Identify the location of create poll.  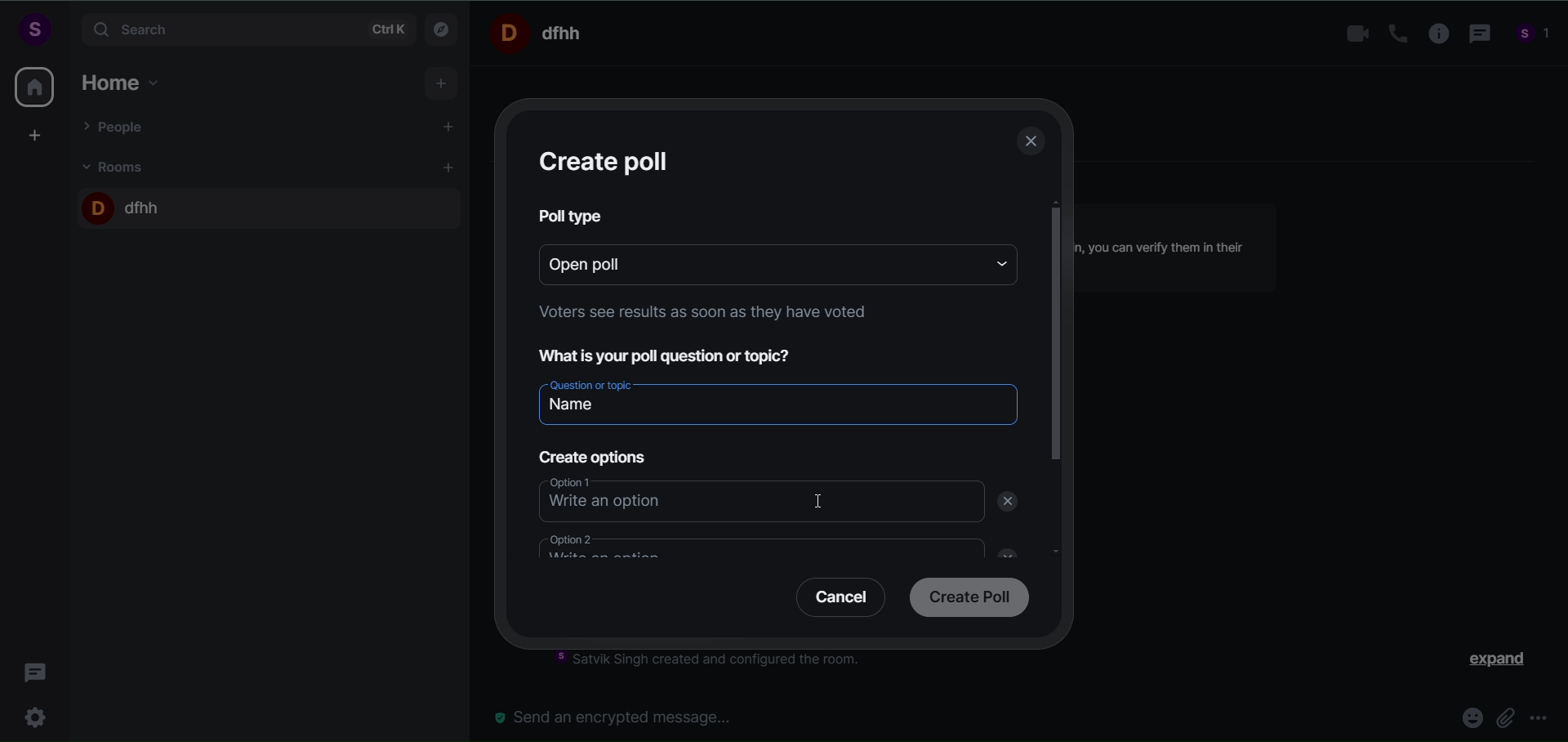
(965, 599).